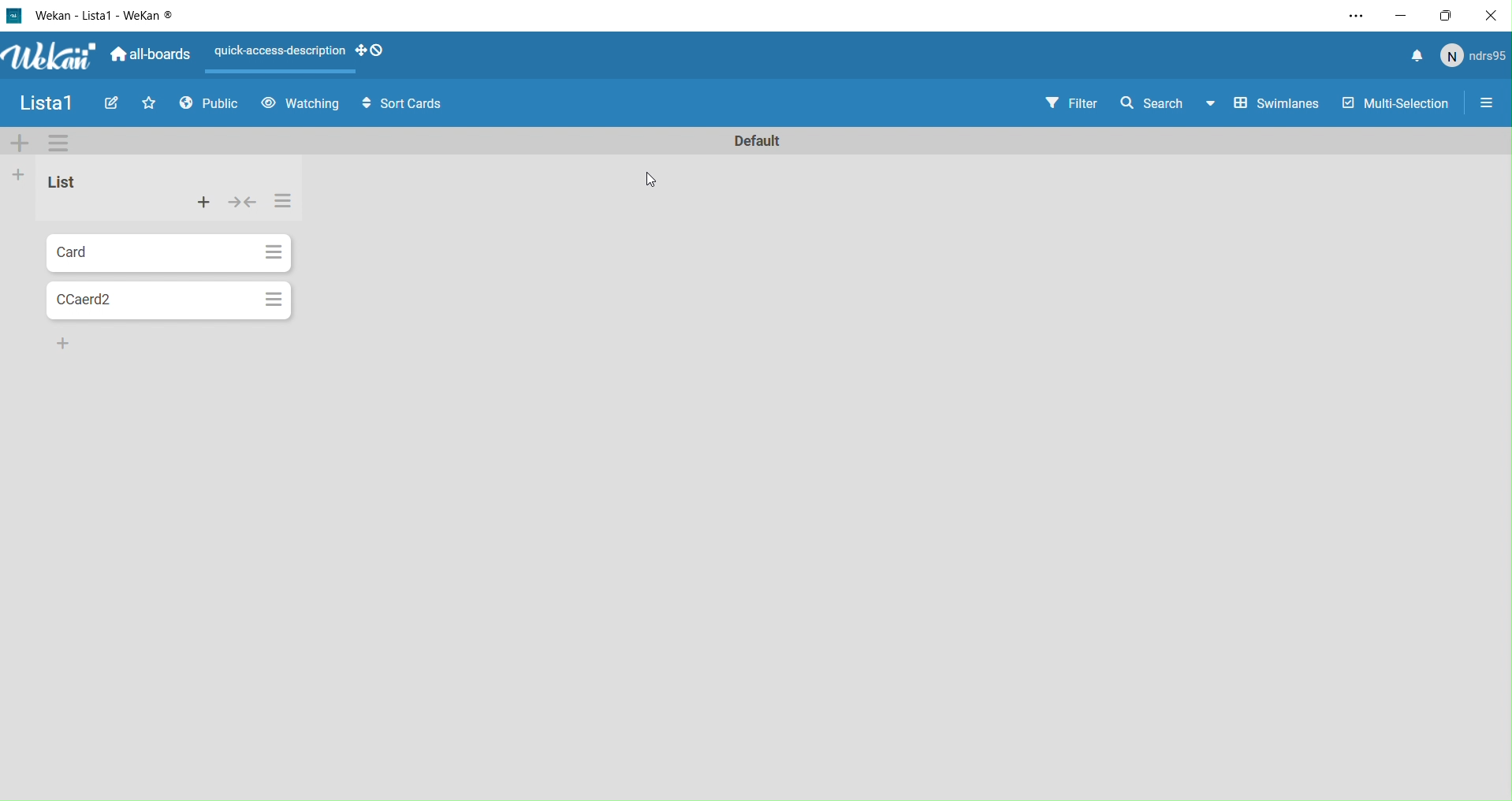  What do you see at coordinates (1163, 101) in the screenshot?
I see `Search` at bounding box center [1163, 101].